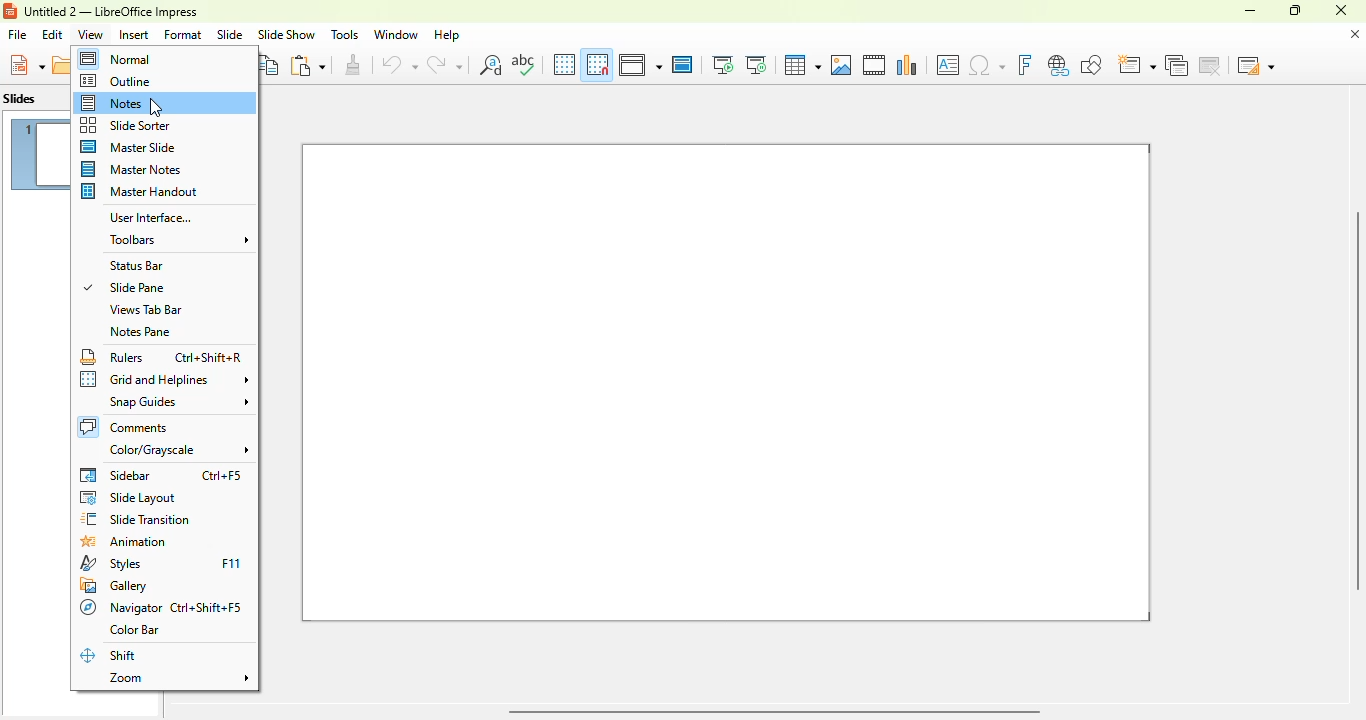 The image size is (1366, 720). I want to click on snap to grid, so click(597, 64).